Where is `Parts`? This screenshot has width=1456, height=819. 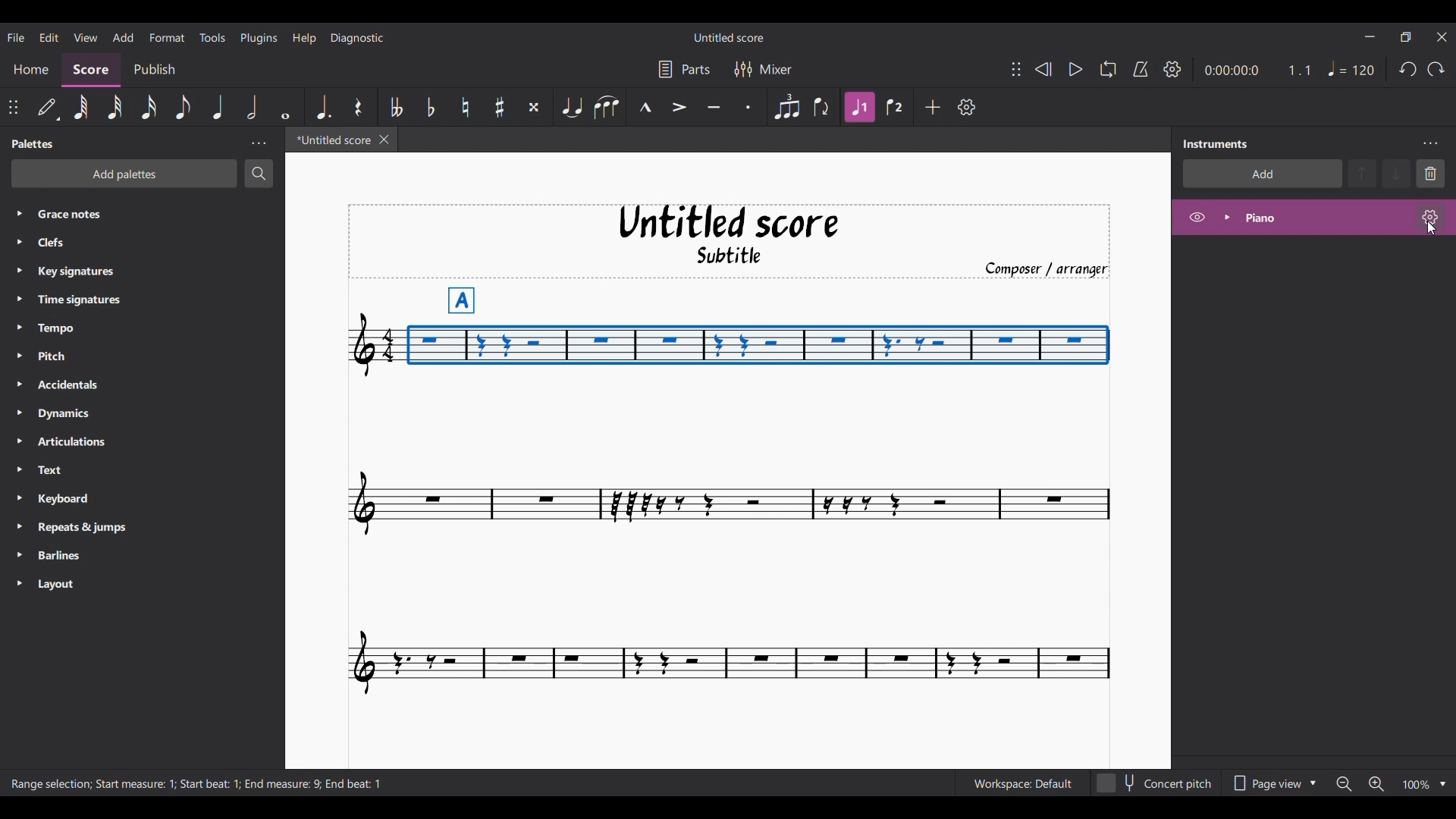 Parts is located at coordinates (684, 69).